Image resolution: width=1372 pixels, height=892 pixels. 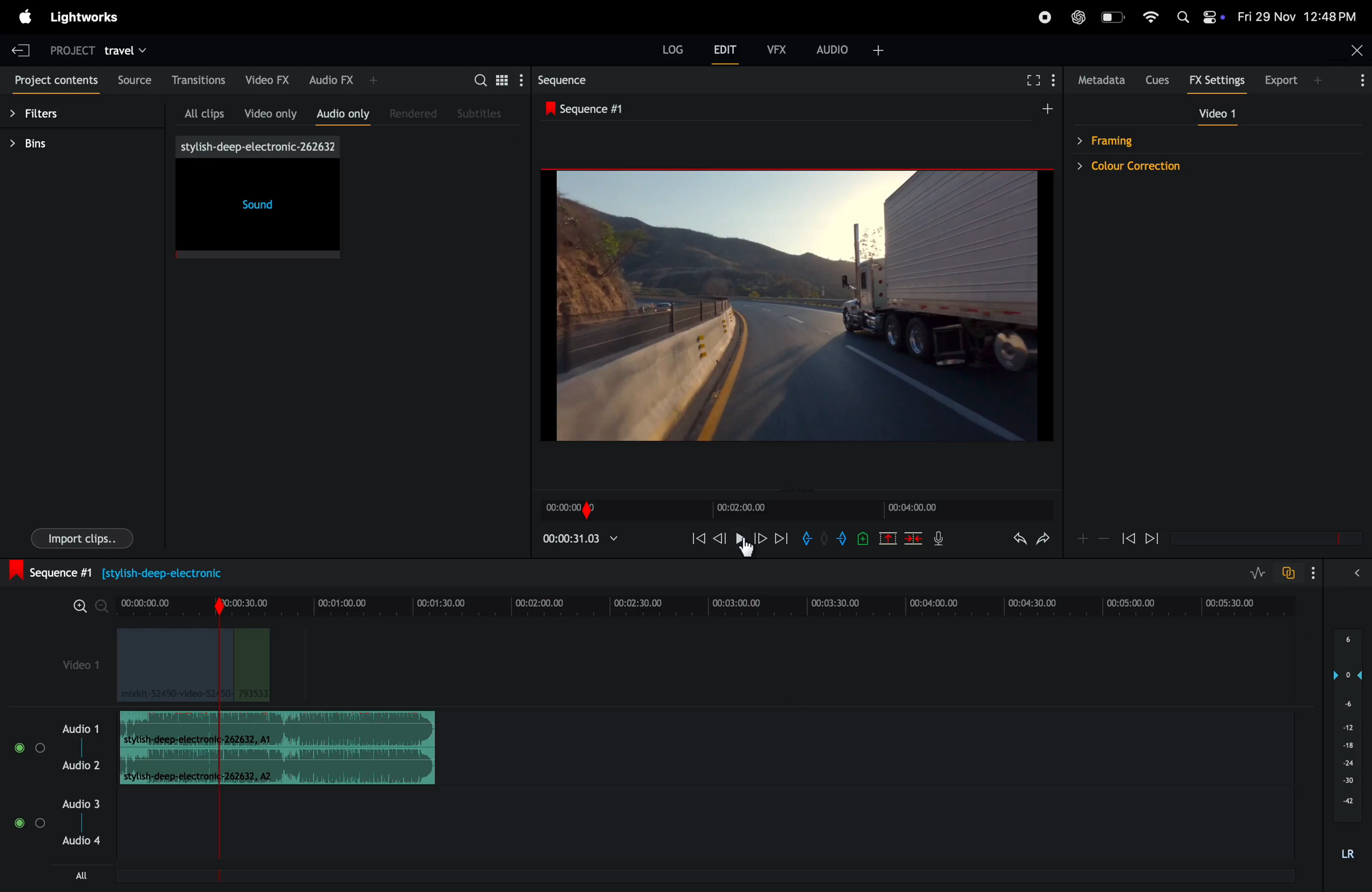 I want to click on fx settigs, so click(x=1219, y=81).